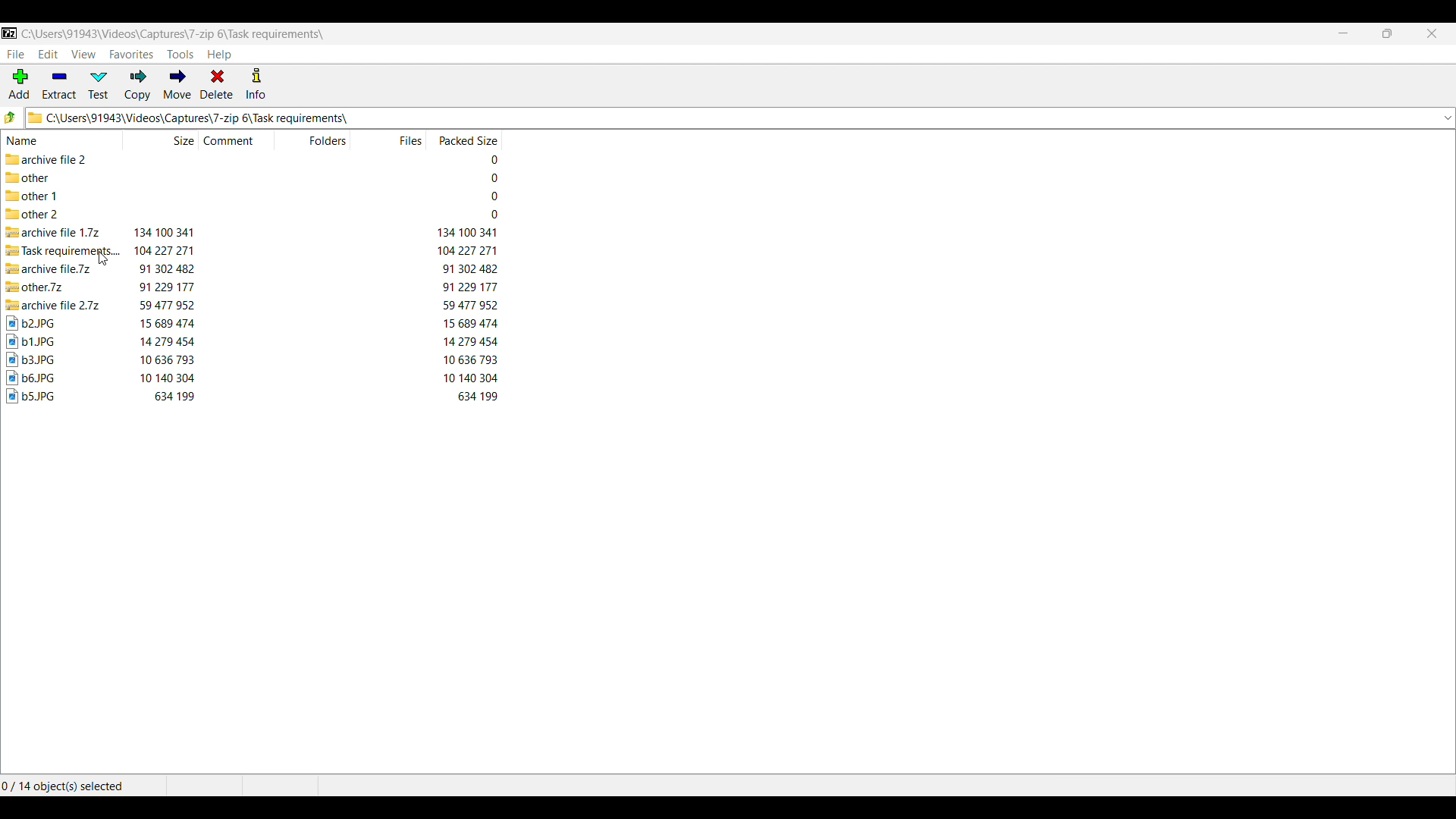  What do you see at coordinates (390, 139) in the screenshot?
I see `Files column` at bounding box center [390, 139].